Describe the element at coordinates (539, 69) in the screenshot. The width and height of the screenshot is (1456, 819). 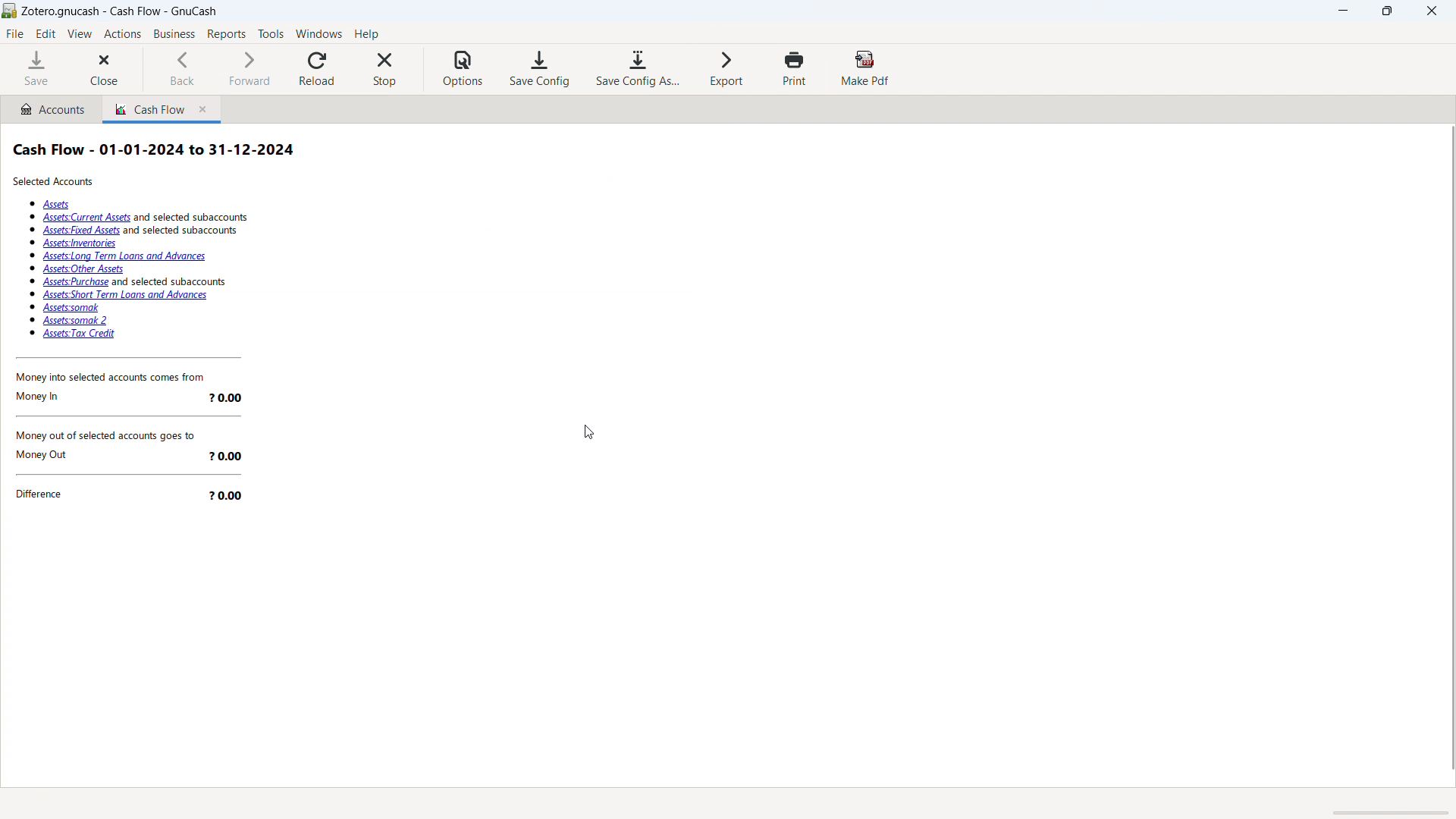
I see `save configuration` at that location.